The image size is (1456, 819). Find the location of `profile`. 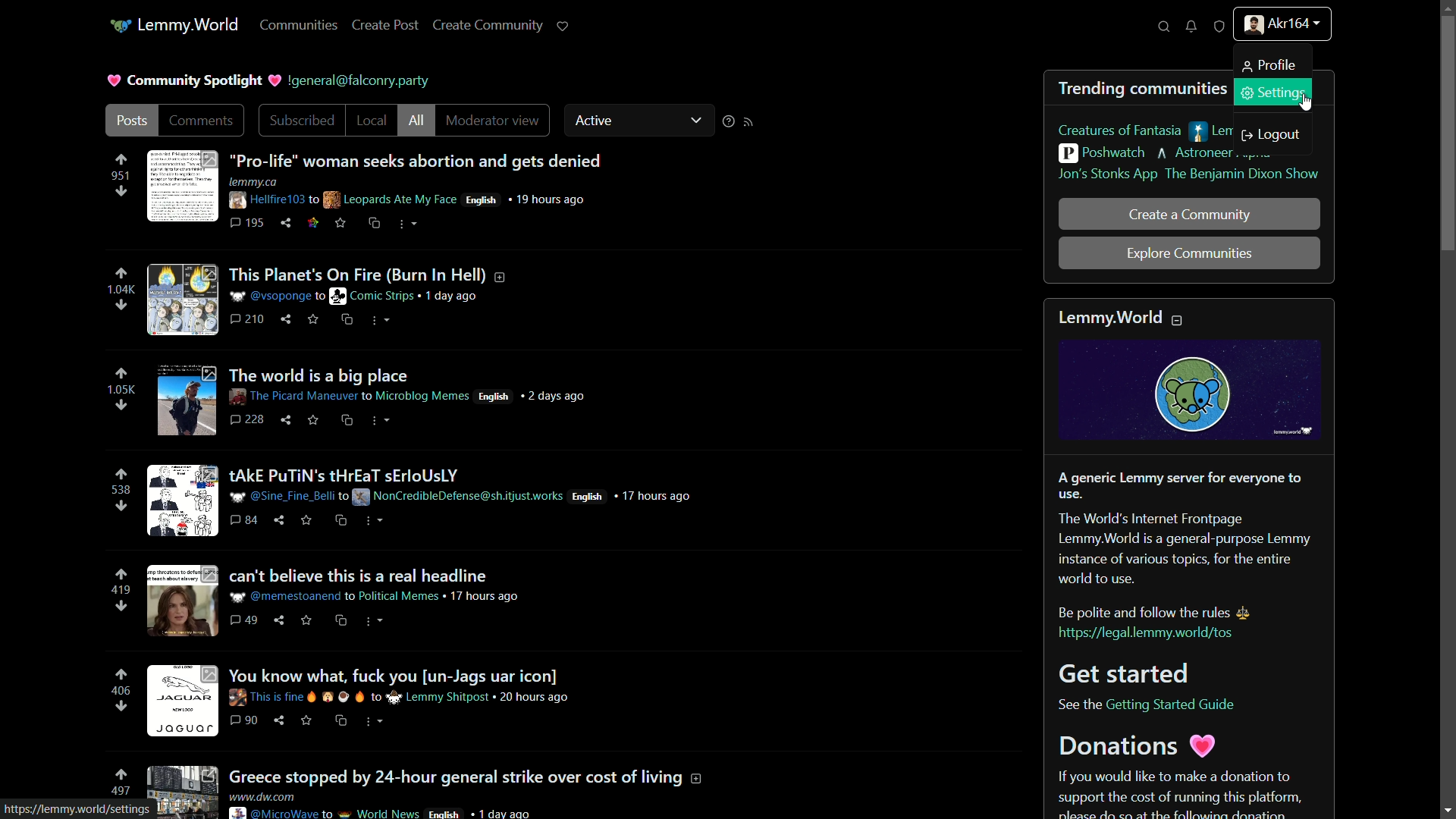

profile is located at coordinates (1282, 27).